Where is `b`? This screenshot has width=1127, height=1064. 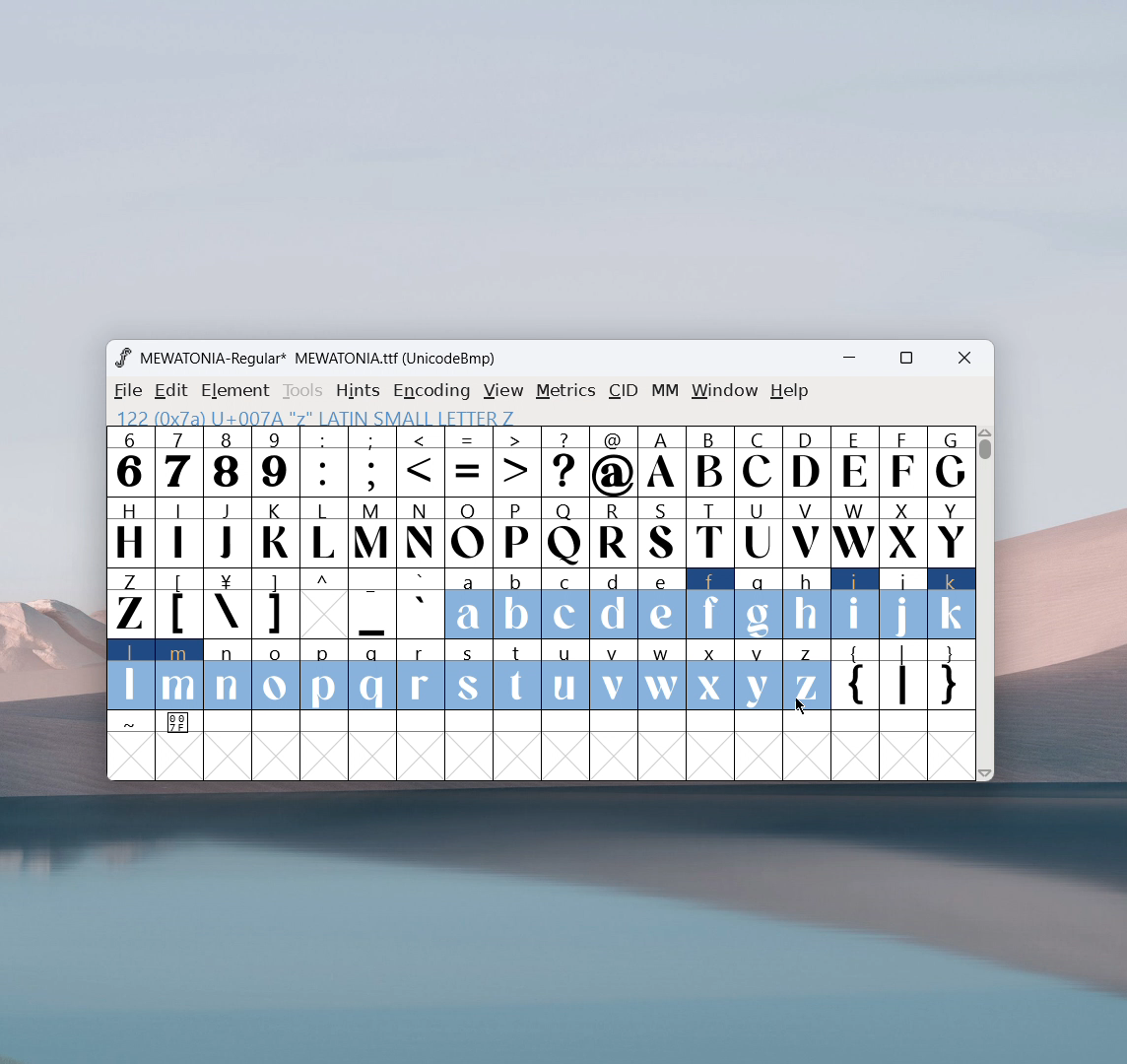
b is located at coordinates (517, 605).